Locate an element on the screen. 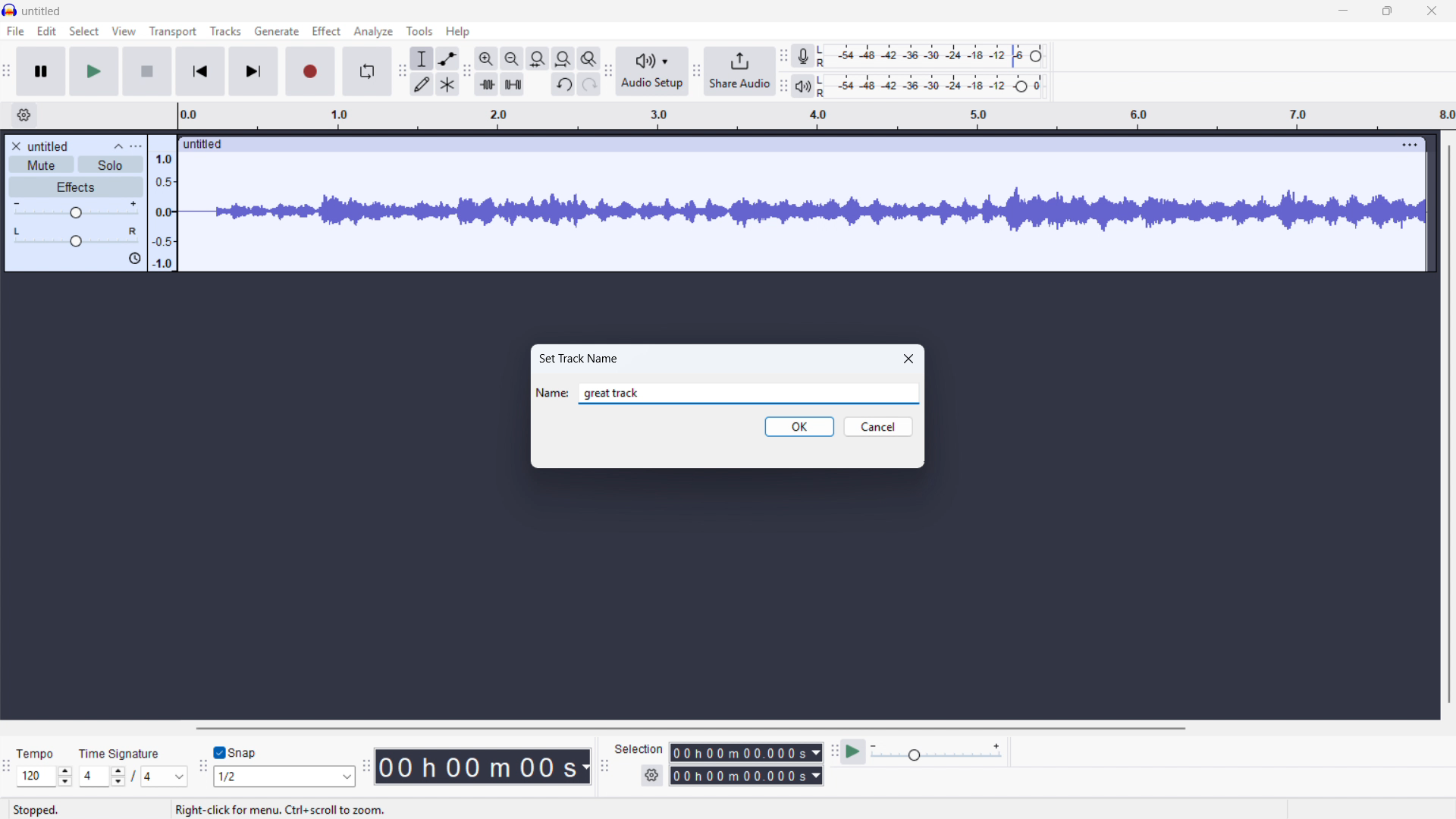 This screenshot has height=819, width=1456. Recording level  is located at coordinates (936, 55).